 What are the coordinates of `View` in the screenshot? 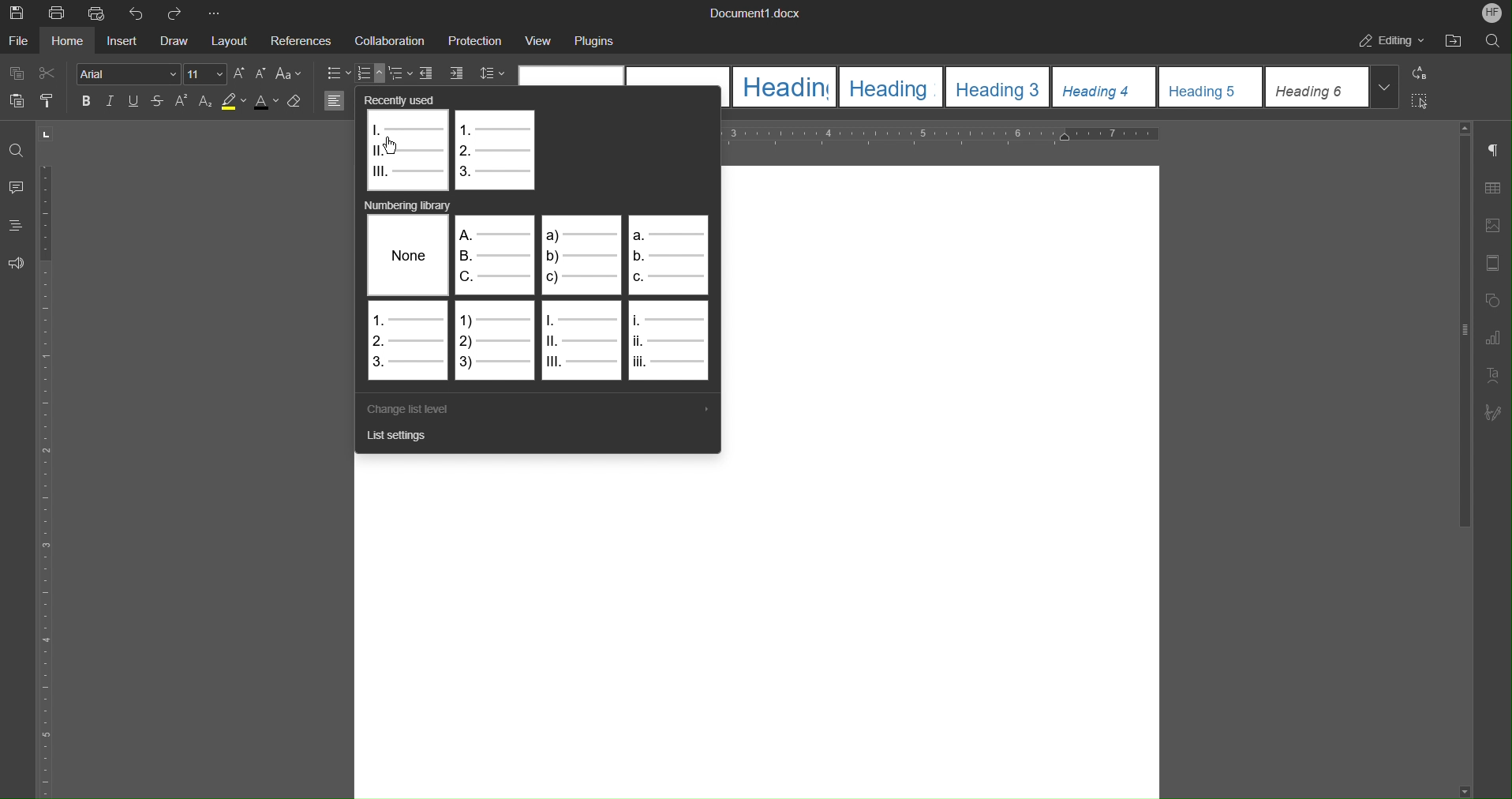 It's located at (537, 40).